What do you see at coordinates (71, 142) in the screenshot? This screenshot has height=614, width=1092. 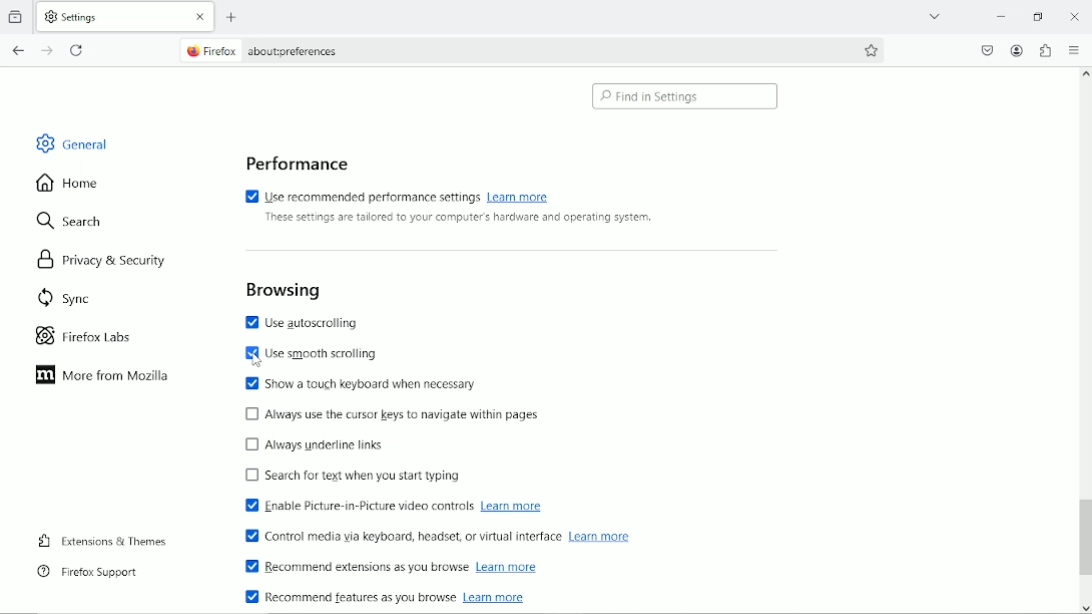 I see `general` at bounding box center [71, 142].